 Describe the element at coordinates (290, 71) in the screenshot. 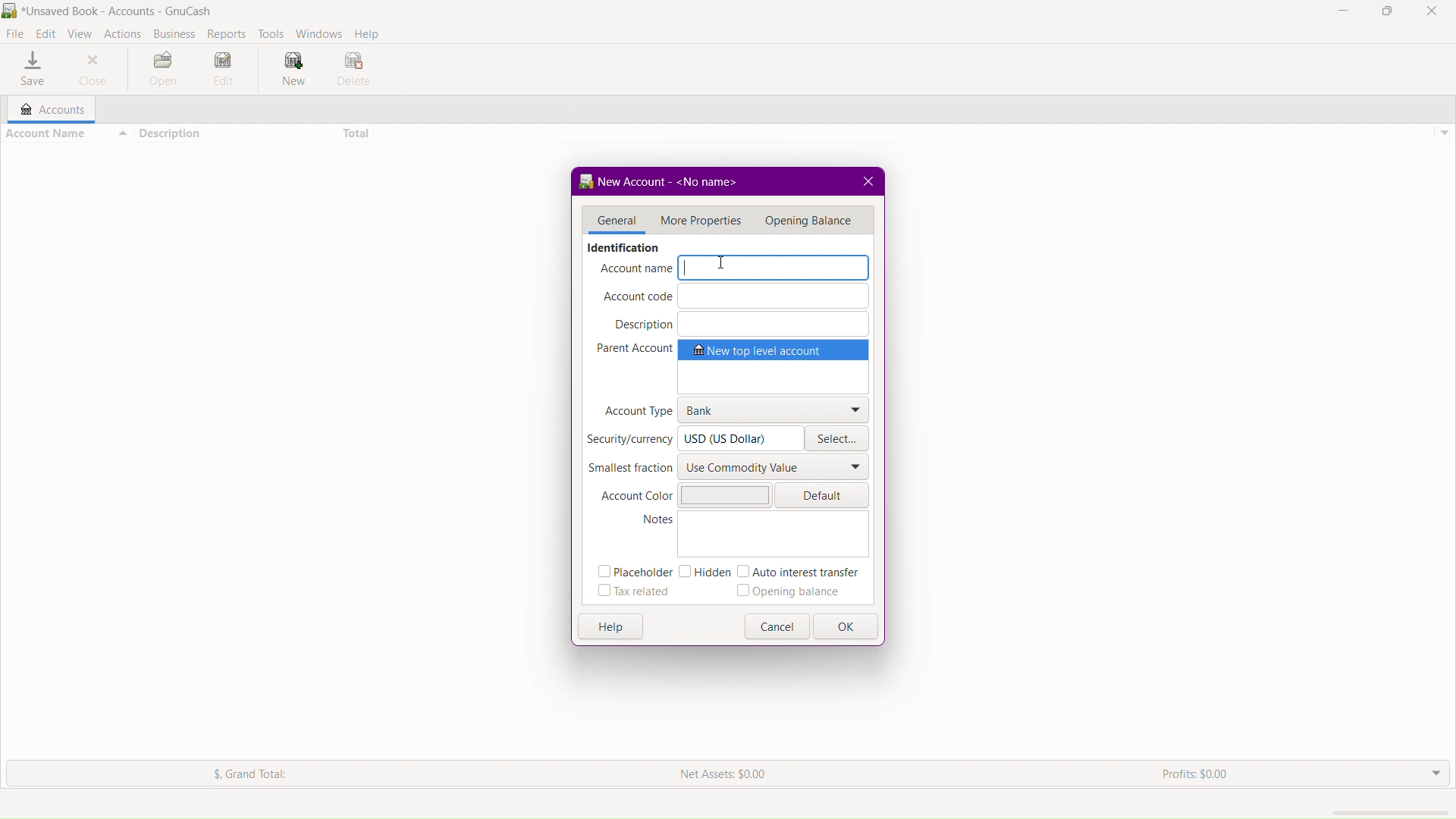

I see `New` at that location.